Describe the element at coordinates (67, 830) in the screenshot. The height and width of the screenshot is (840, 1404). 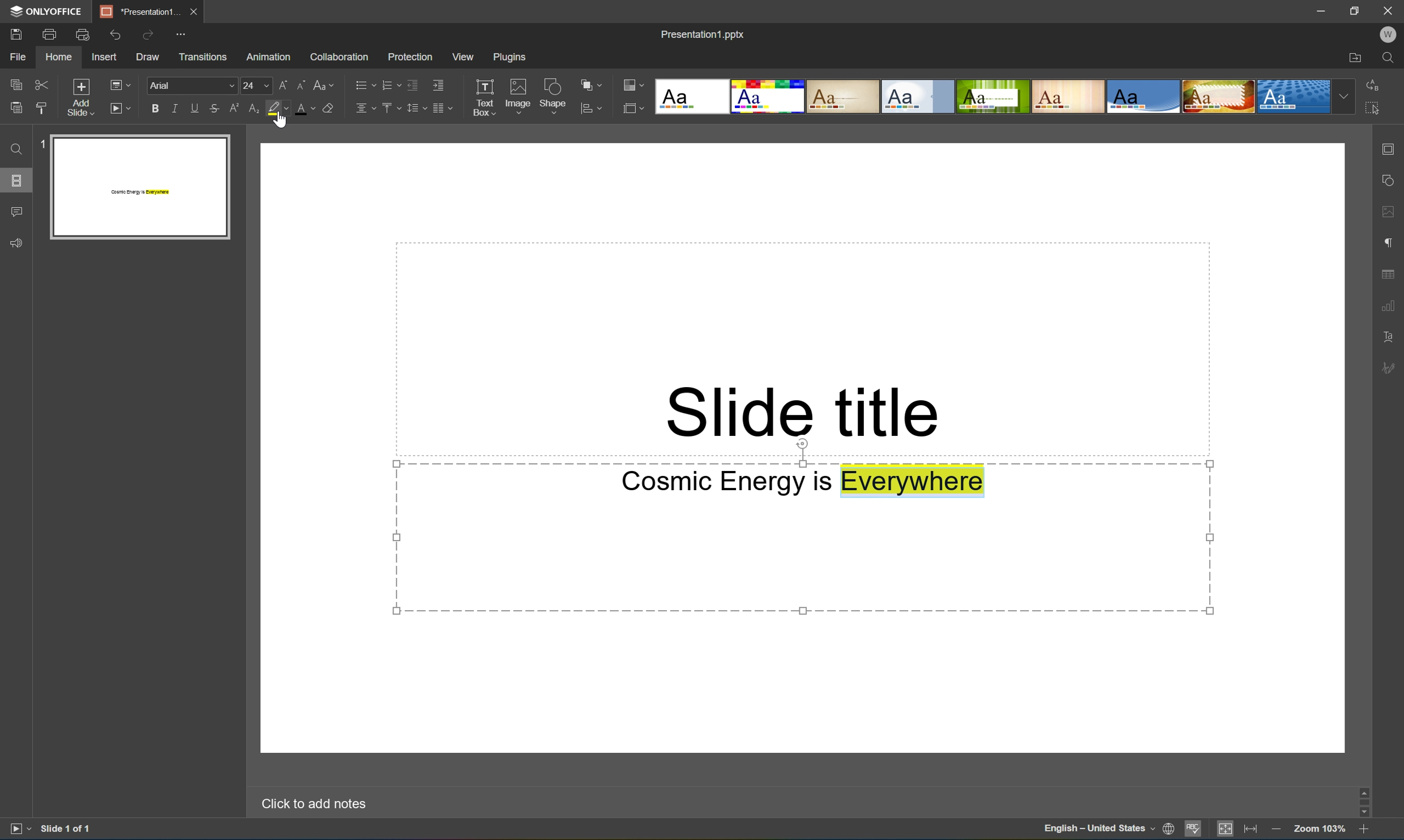
I see `Slide 1 of 1` at that location.